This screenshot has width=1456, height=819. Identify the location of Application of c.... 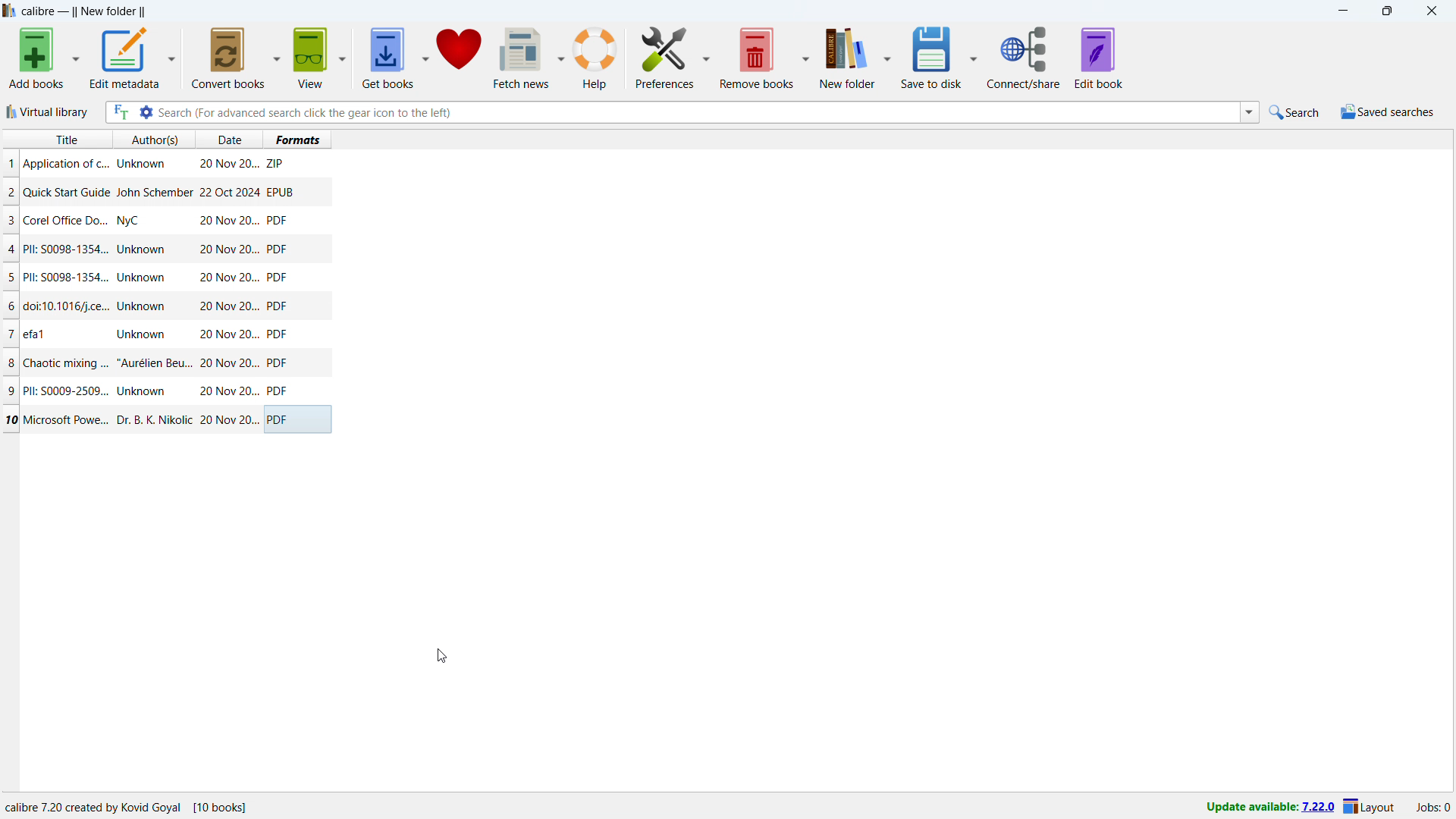
(64, 164).